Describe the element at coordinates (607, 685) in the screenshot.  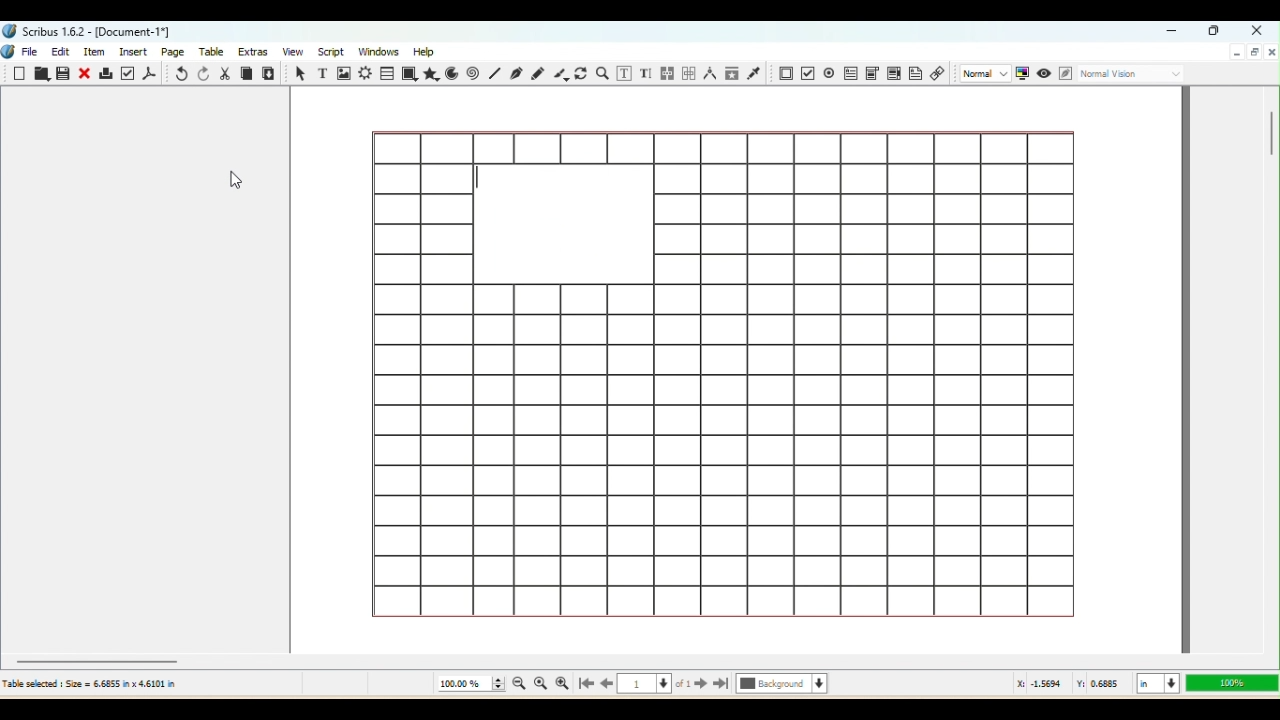
I see `Go back to the previous page` at that location.